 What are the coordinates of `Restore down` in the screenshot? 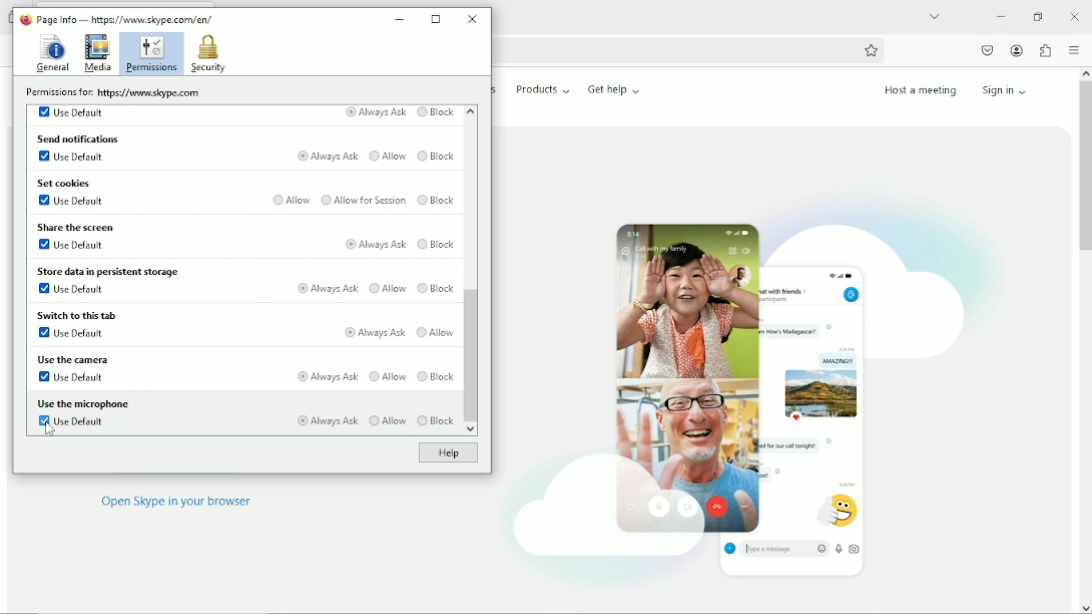 It's located at (1037, 16).